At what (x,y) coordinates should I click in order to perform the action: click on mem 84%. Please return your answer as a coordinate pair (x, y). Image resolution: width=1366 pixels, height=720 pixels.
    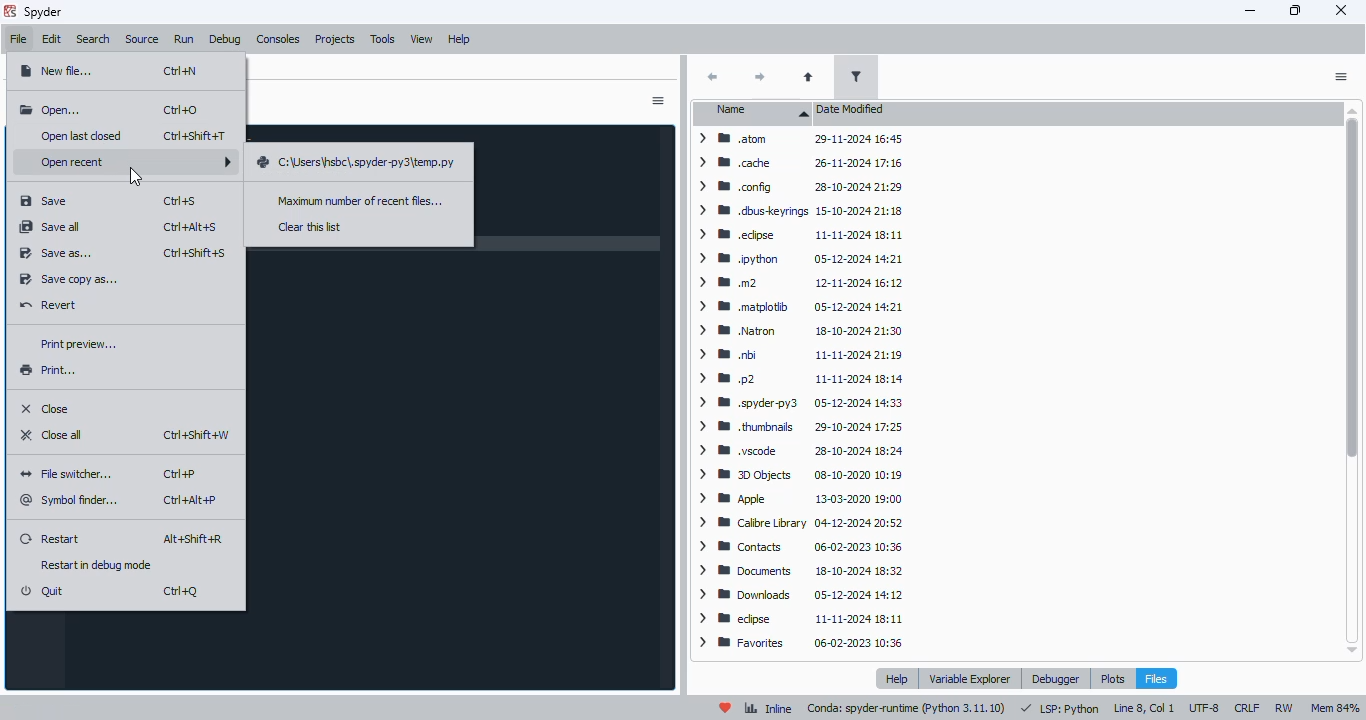
    Looking at the image, I should click on (1335, 707).